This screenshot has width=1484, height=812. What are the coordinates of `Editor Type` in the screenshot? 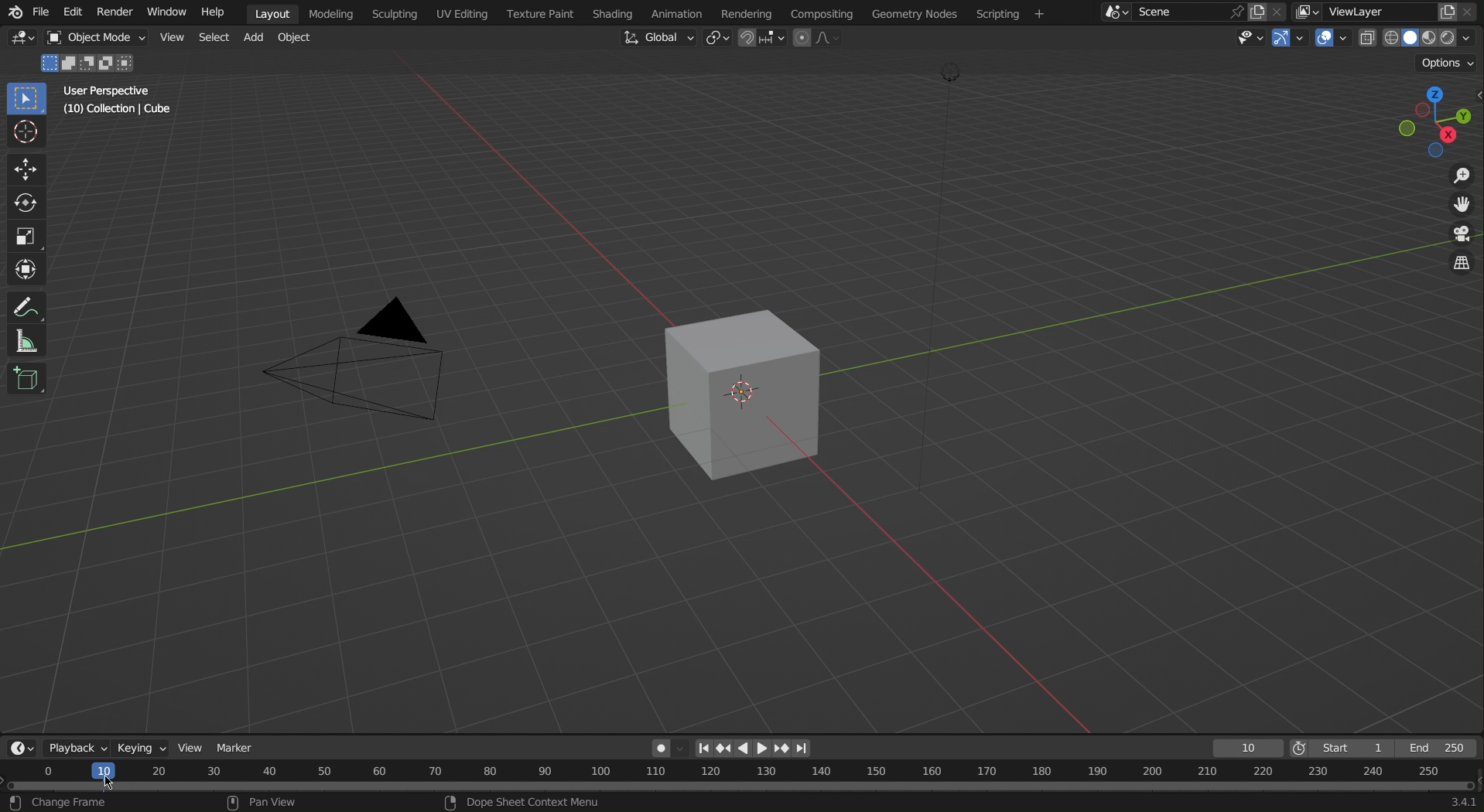 It's located at (19, 749).